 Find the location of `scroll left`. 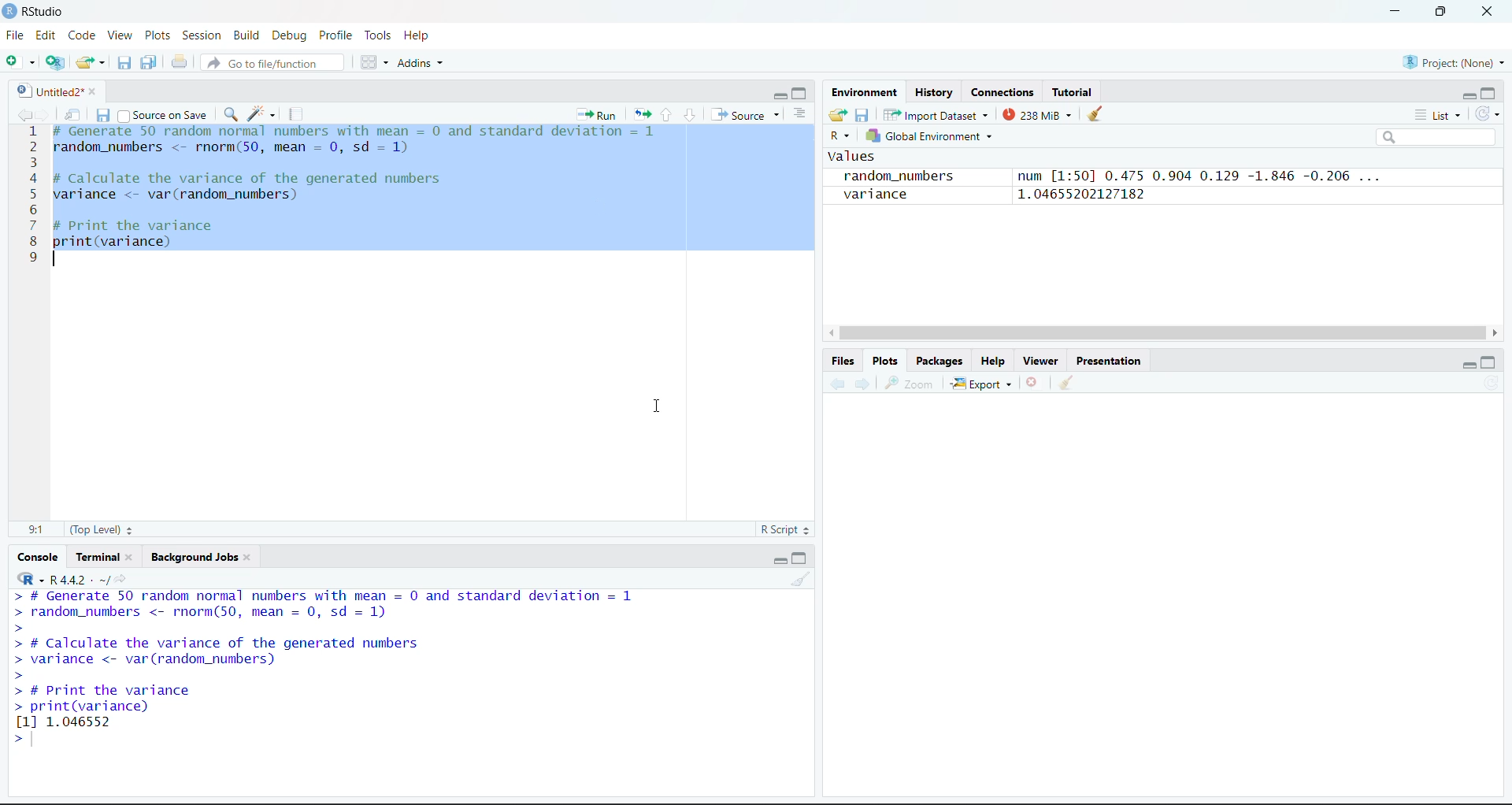

scroll left is located at coordinates (829, 333).